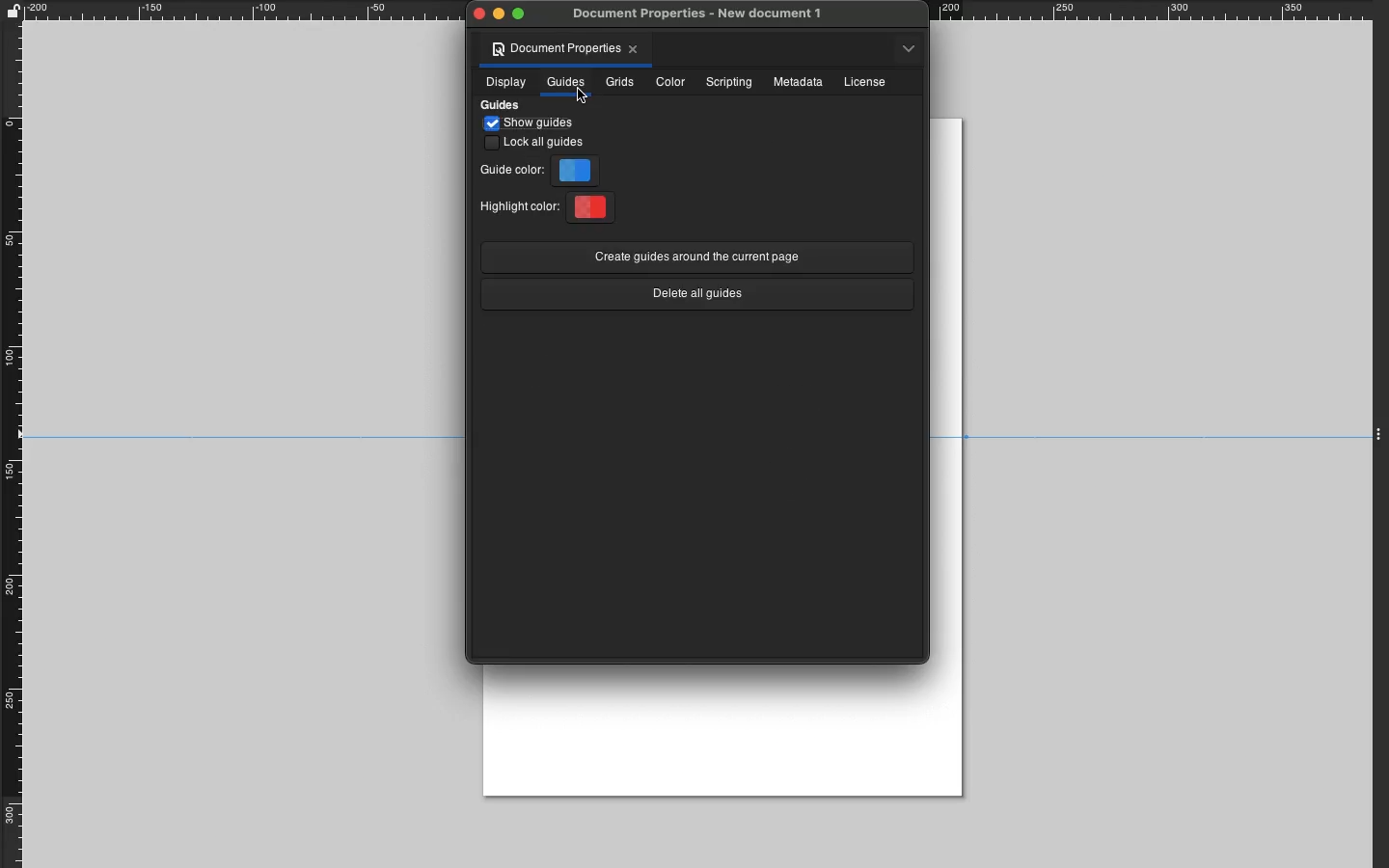 This screenshot has height=868, width=1389. I want to click on Close, so click(638, 49).